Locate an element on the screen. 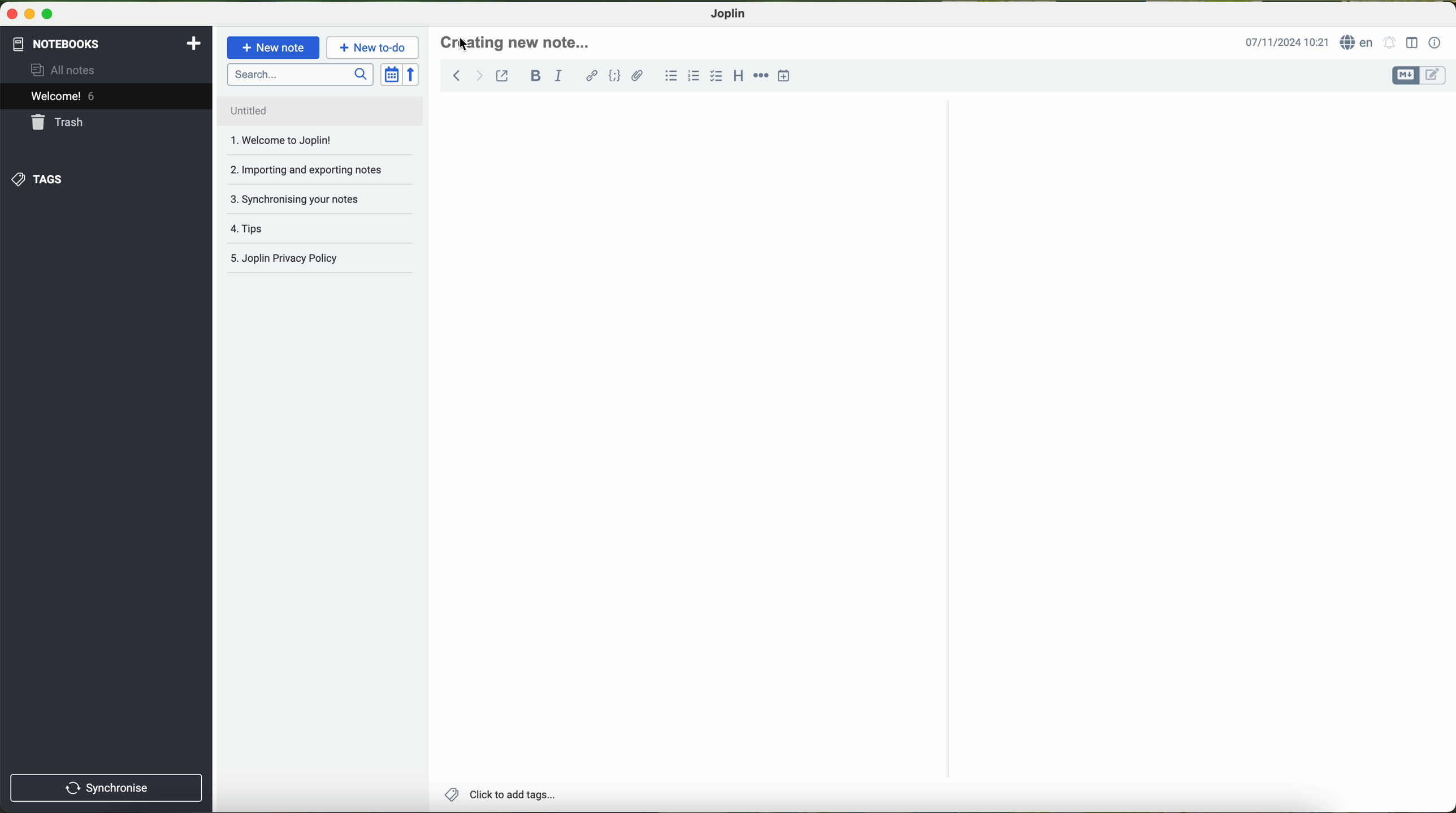 The image size is (1456, 813). minimize is located at coordinates (27, 13).